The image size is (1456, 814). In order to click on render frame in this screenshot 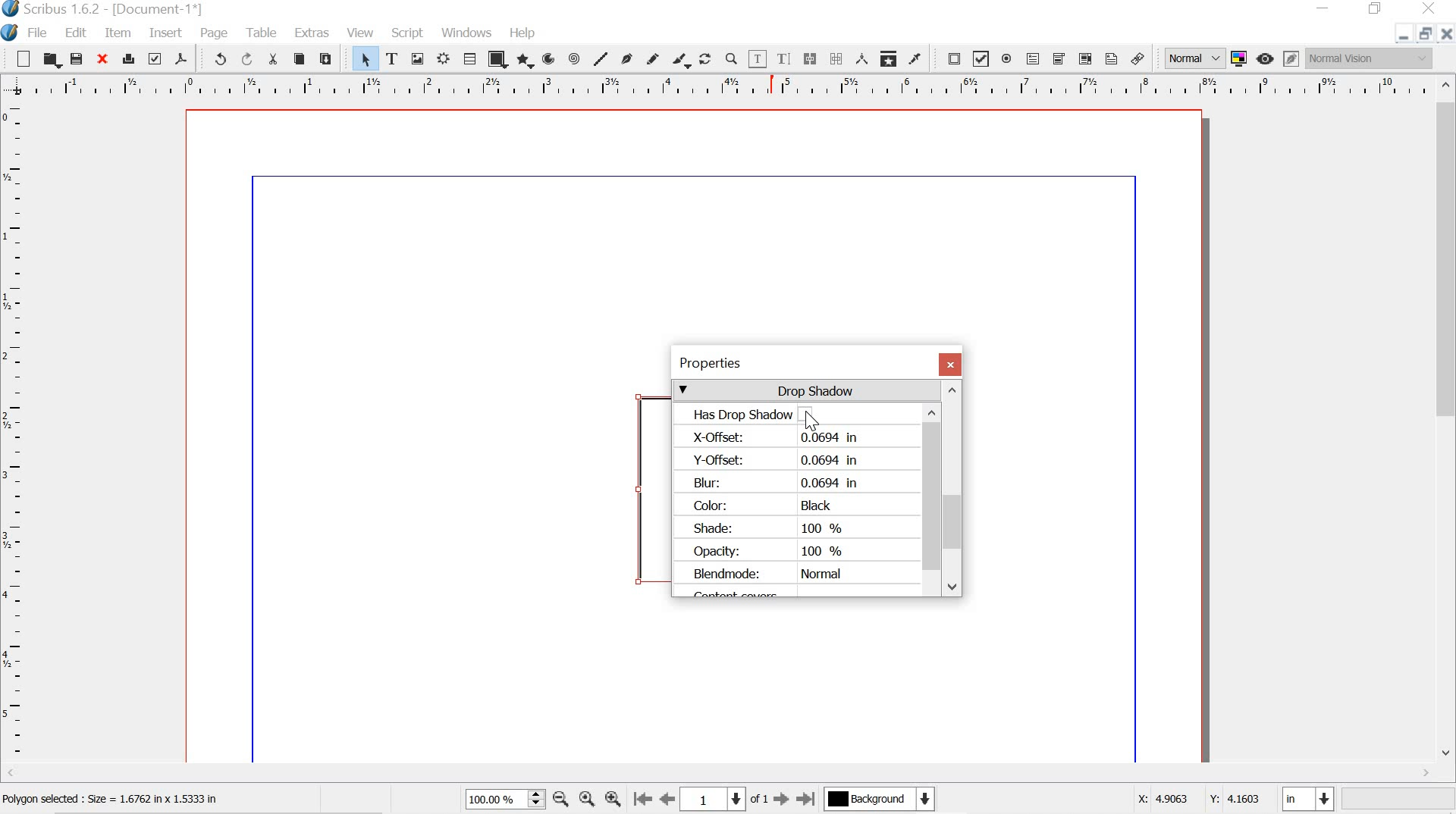, I will do `click(445, 59)`.